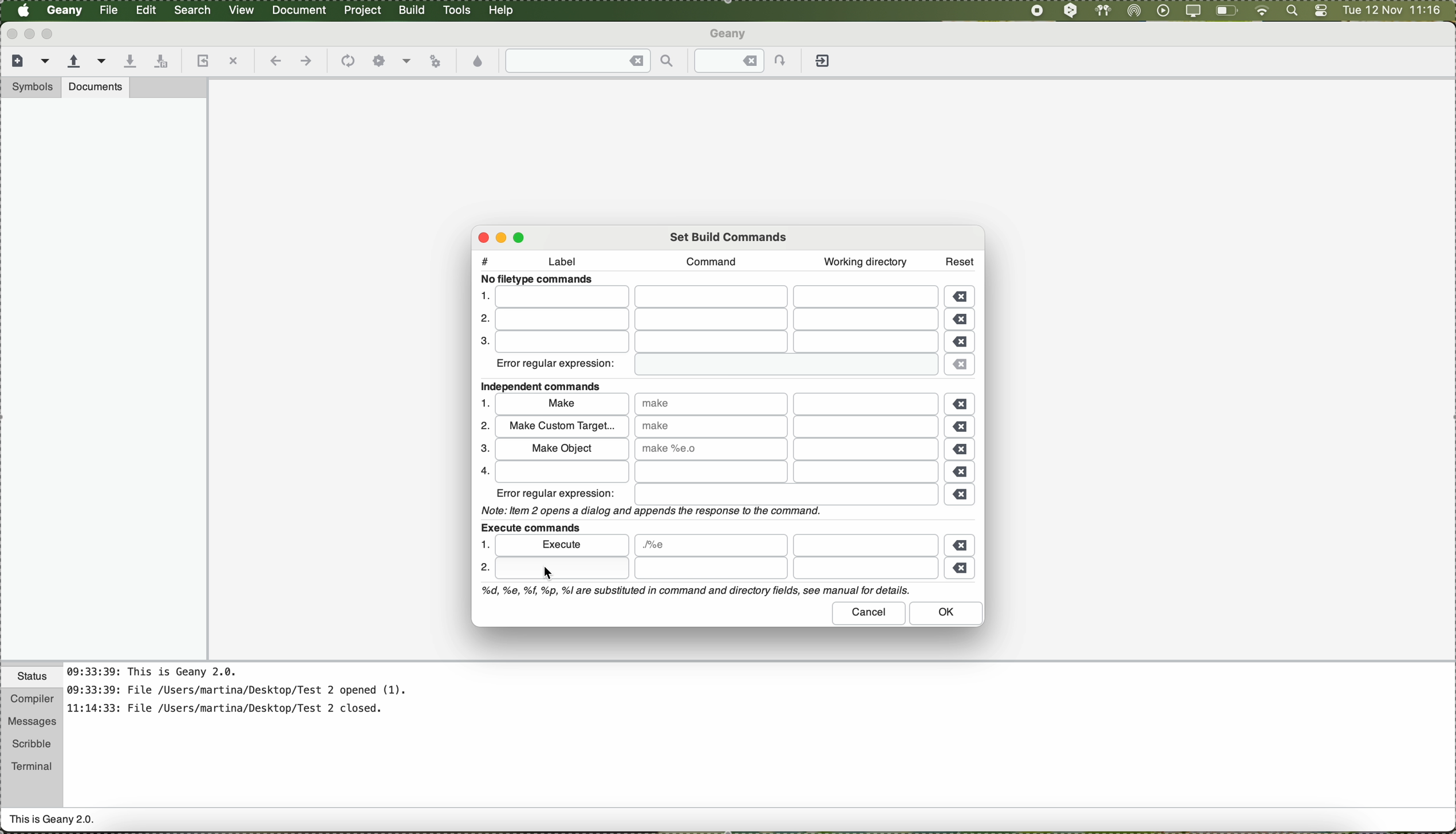 This screenshot has width=1456, height=834. What do you see at coordinates (362, 10) in the screenshot?
I see `project` at bounding box center [362, 10].